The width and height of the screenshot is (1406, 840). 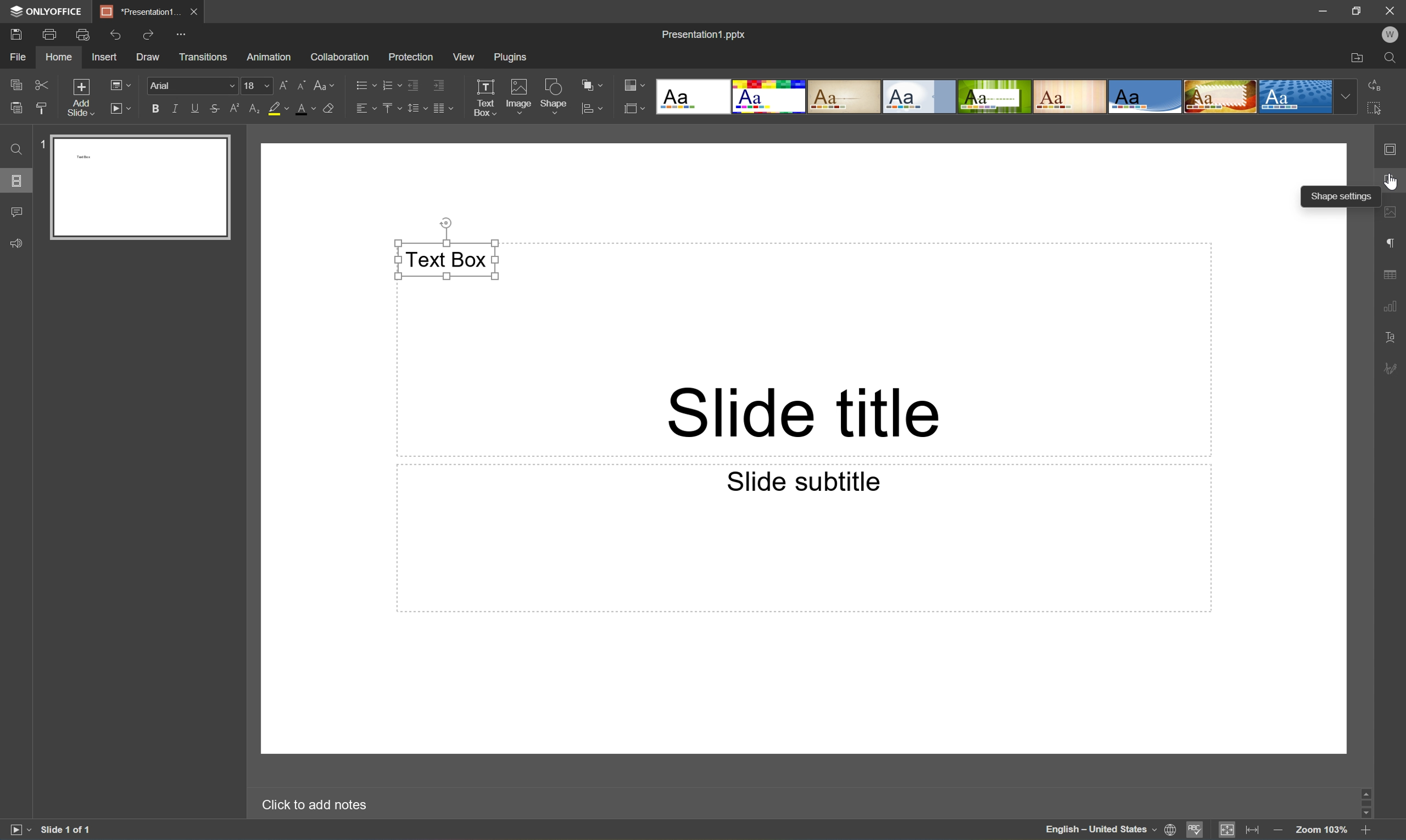 I want to click on Replace, so click(x=1375, y=84).